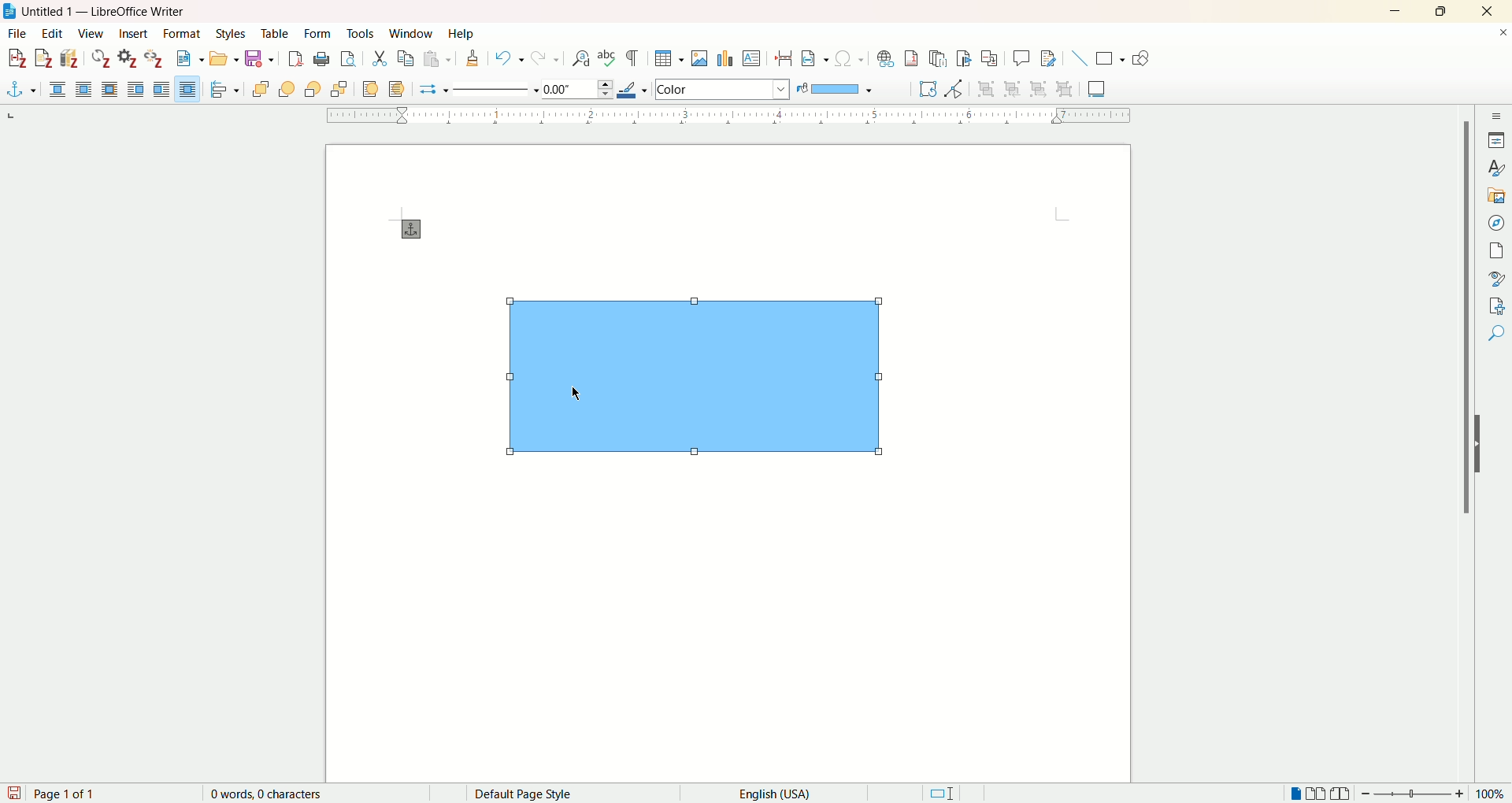 The width and height of the screenshot is (1512, 803). I want to click on anchor, so click(413, 228).